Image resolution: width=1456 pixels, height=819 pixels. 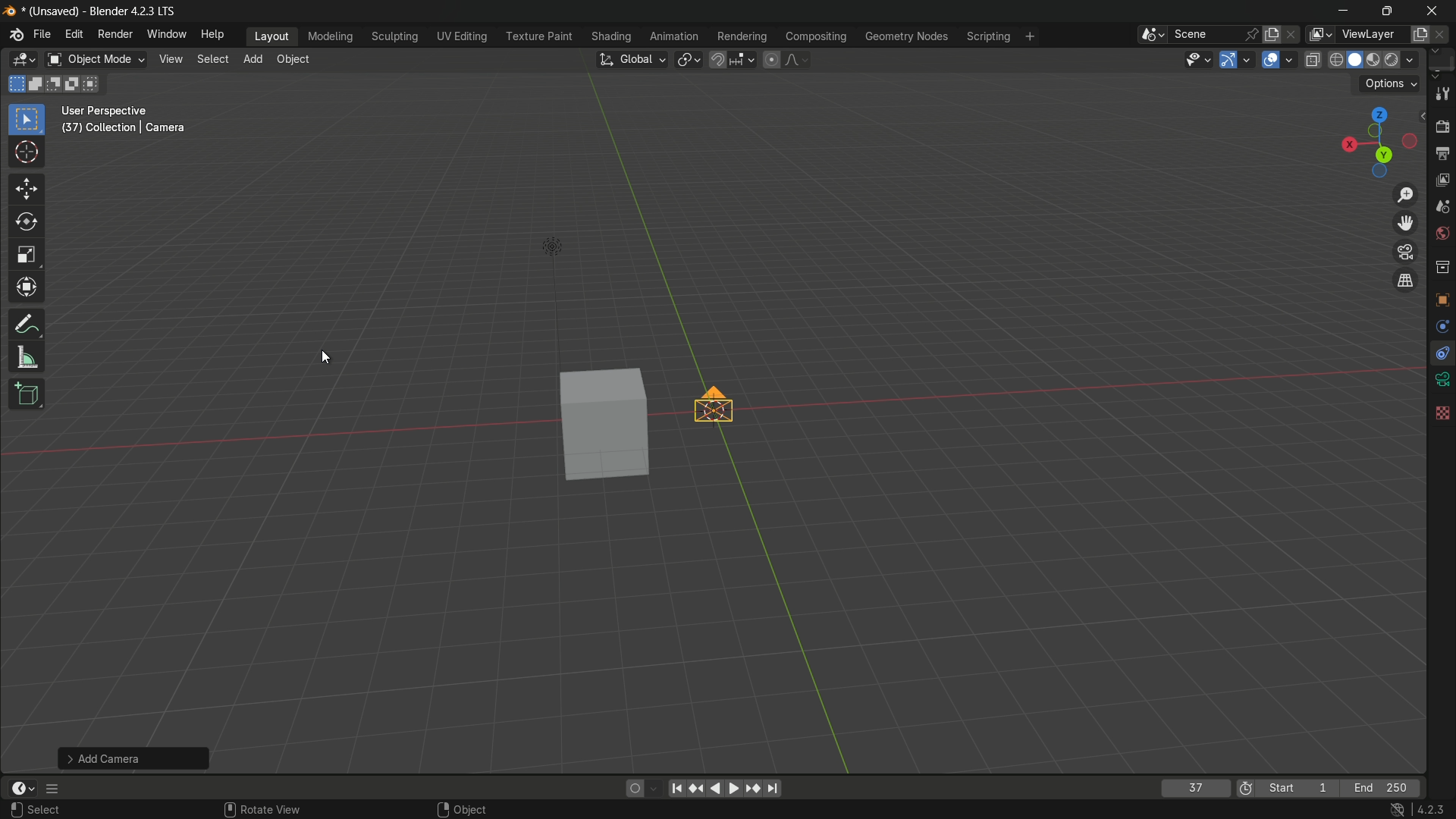 What do you see at coordinates (40, 33) in the screenshot?
I see `file menu` at bounding box center [40, 33].